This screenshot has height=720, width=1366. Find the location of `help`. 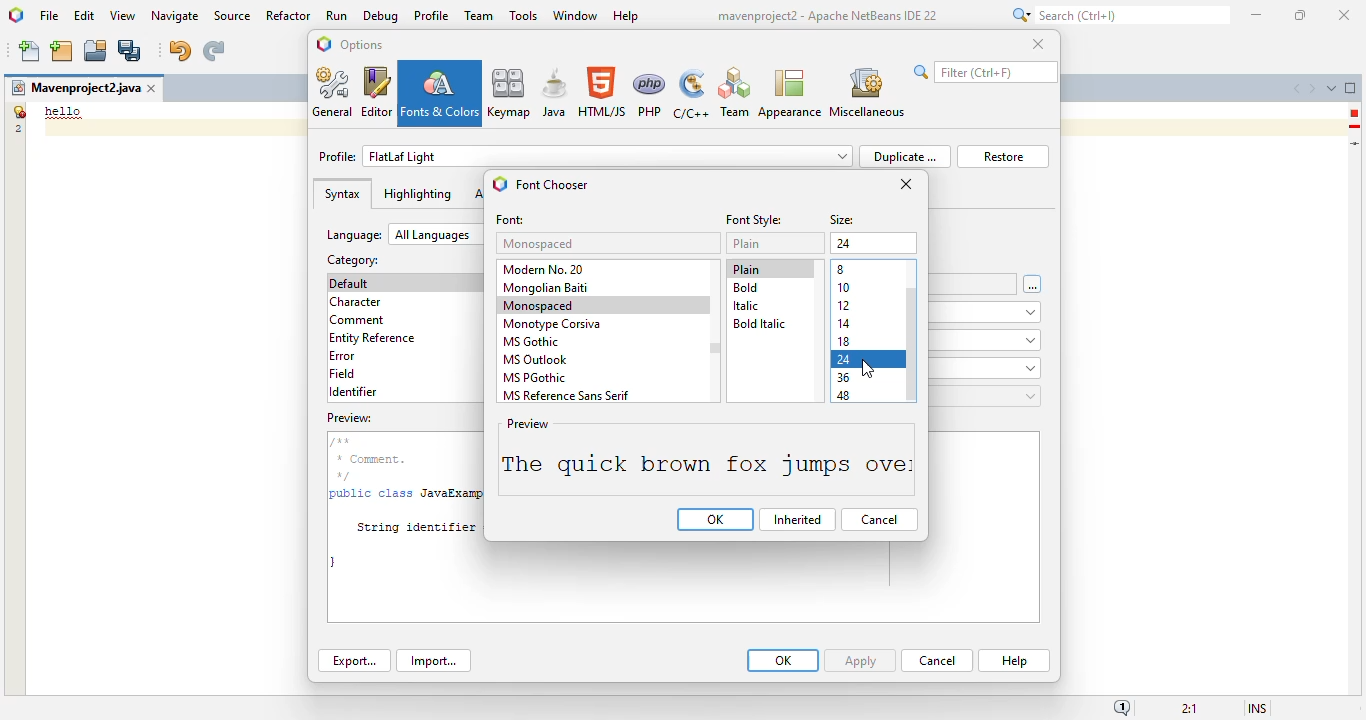

help is located at coordinates (627, 17).